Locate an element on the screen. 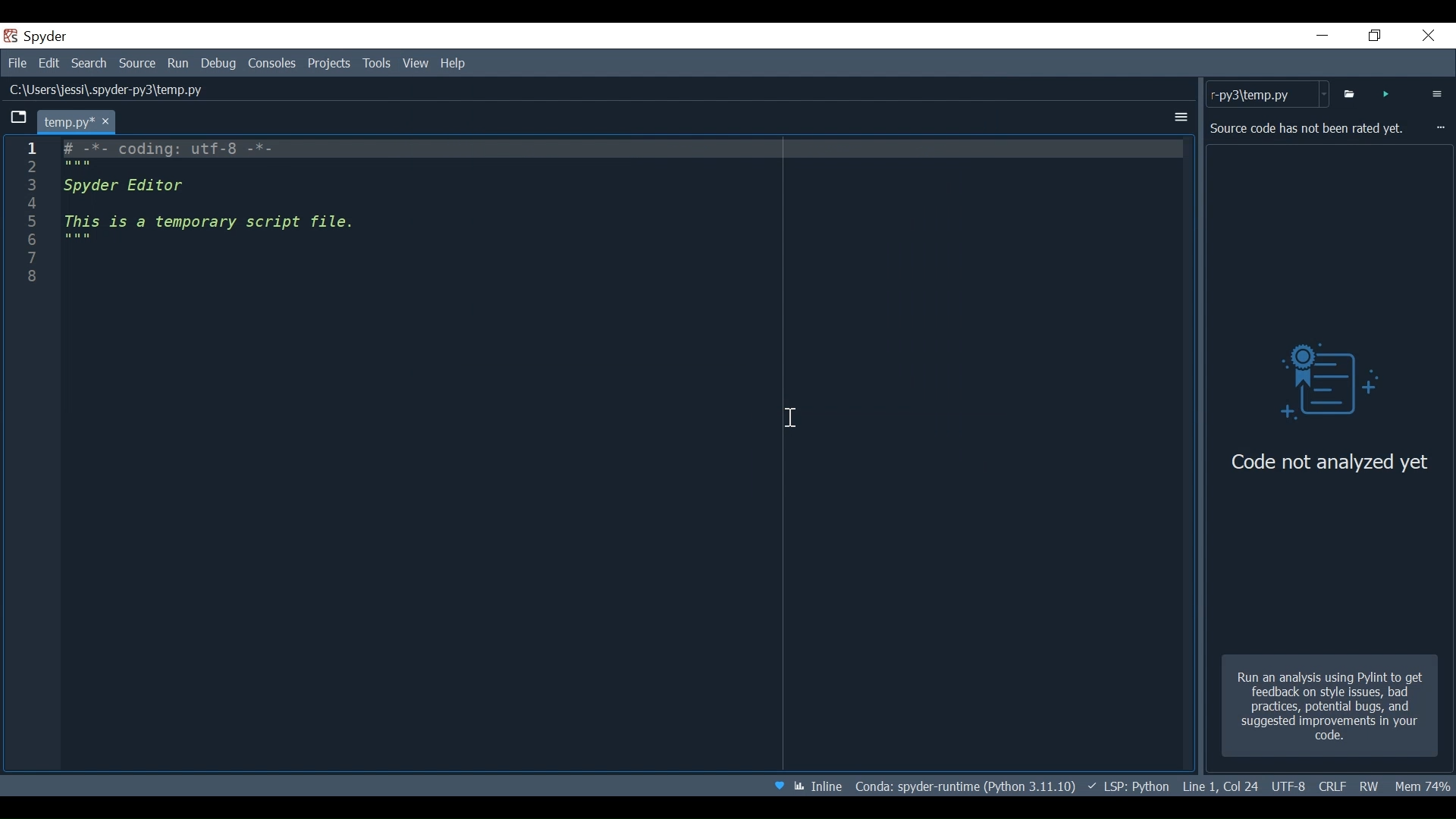 The width and height of the screenshot is (1456, 819). current file tab is located at coordinates (79, 120).